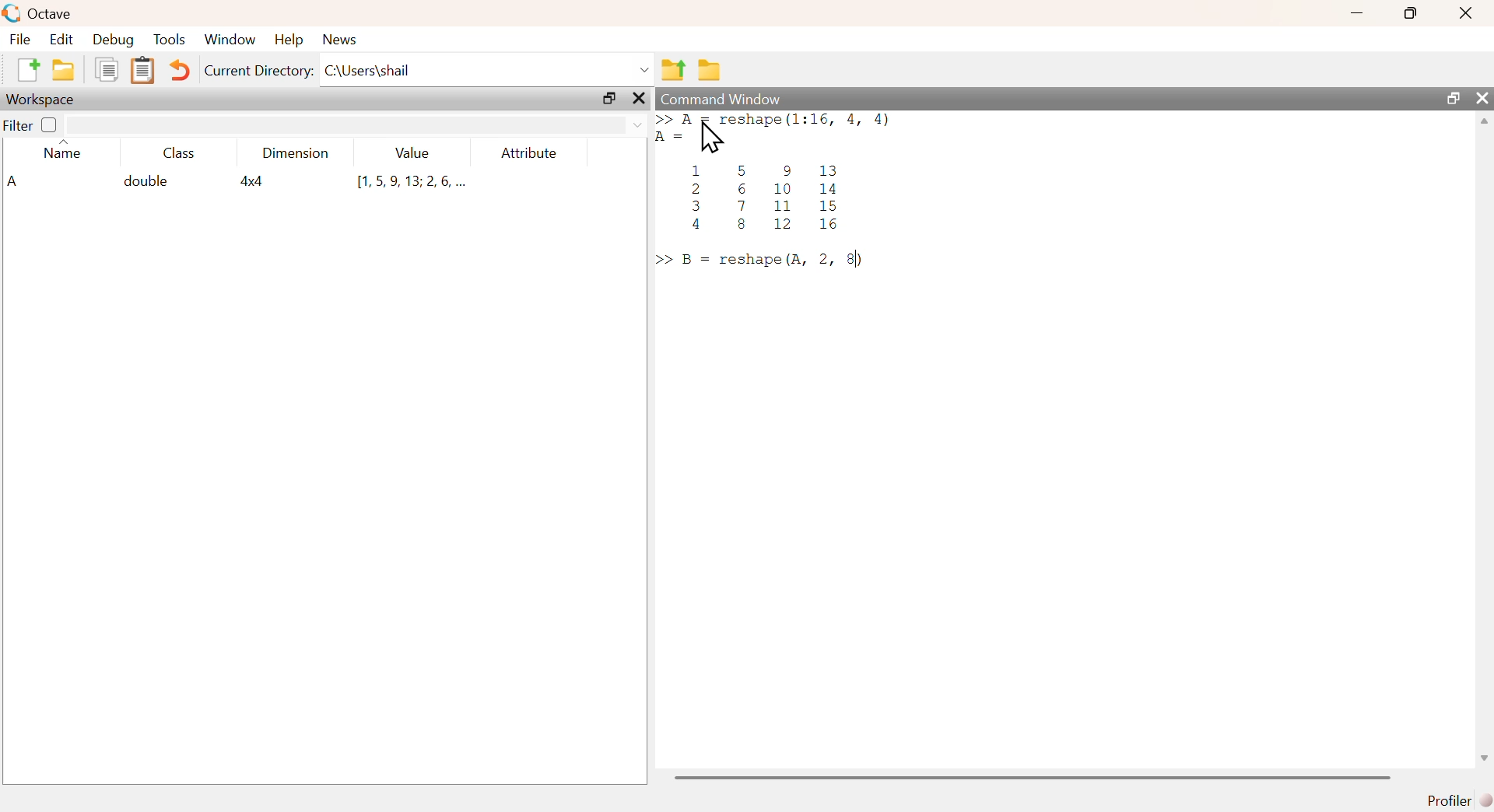  What do you see at coordinates (712, 140) in the screenshot?
I see `cursor` at bounding box center [712, 140].